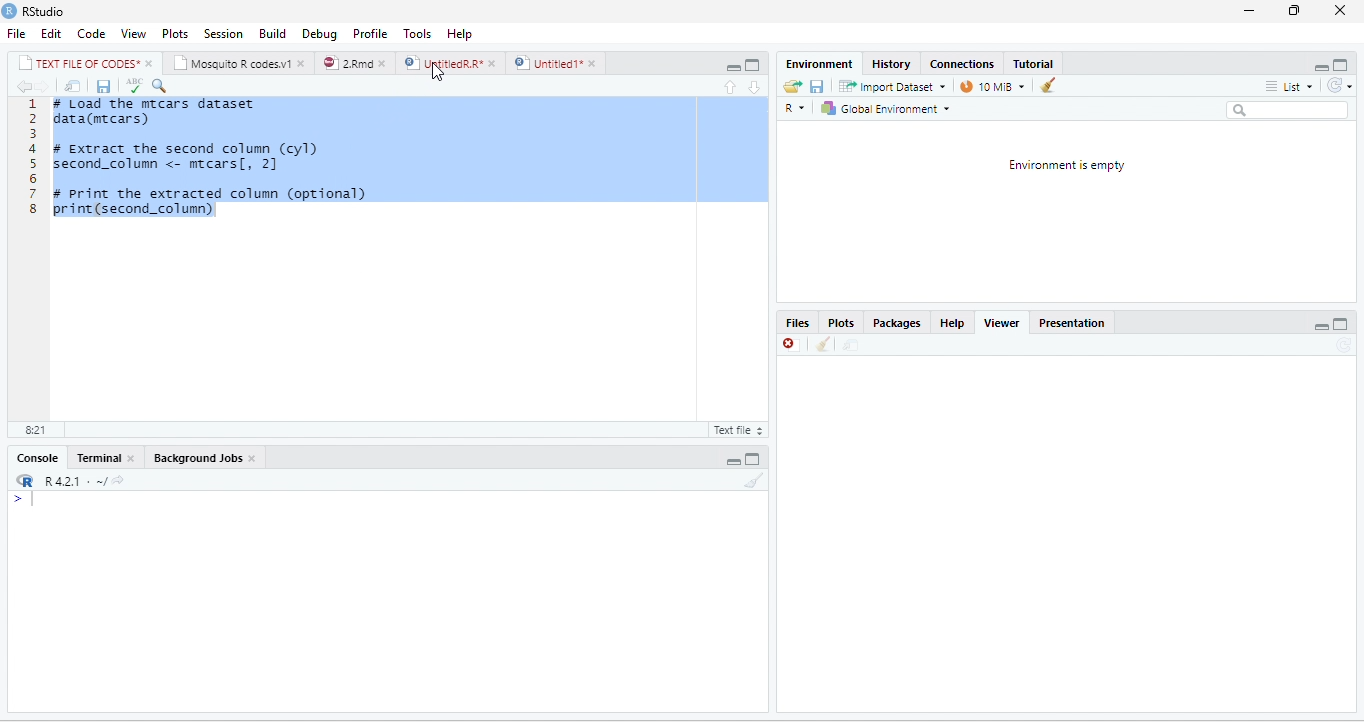 Image resolution: width=1364 pixels, height=722 pixels. Describe the element at coordinates (346, 63) in the screenshot. I see `2Rmd` at that location.